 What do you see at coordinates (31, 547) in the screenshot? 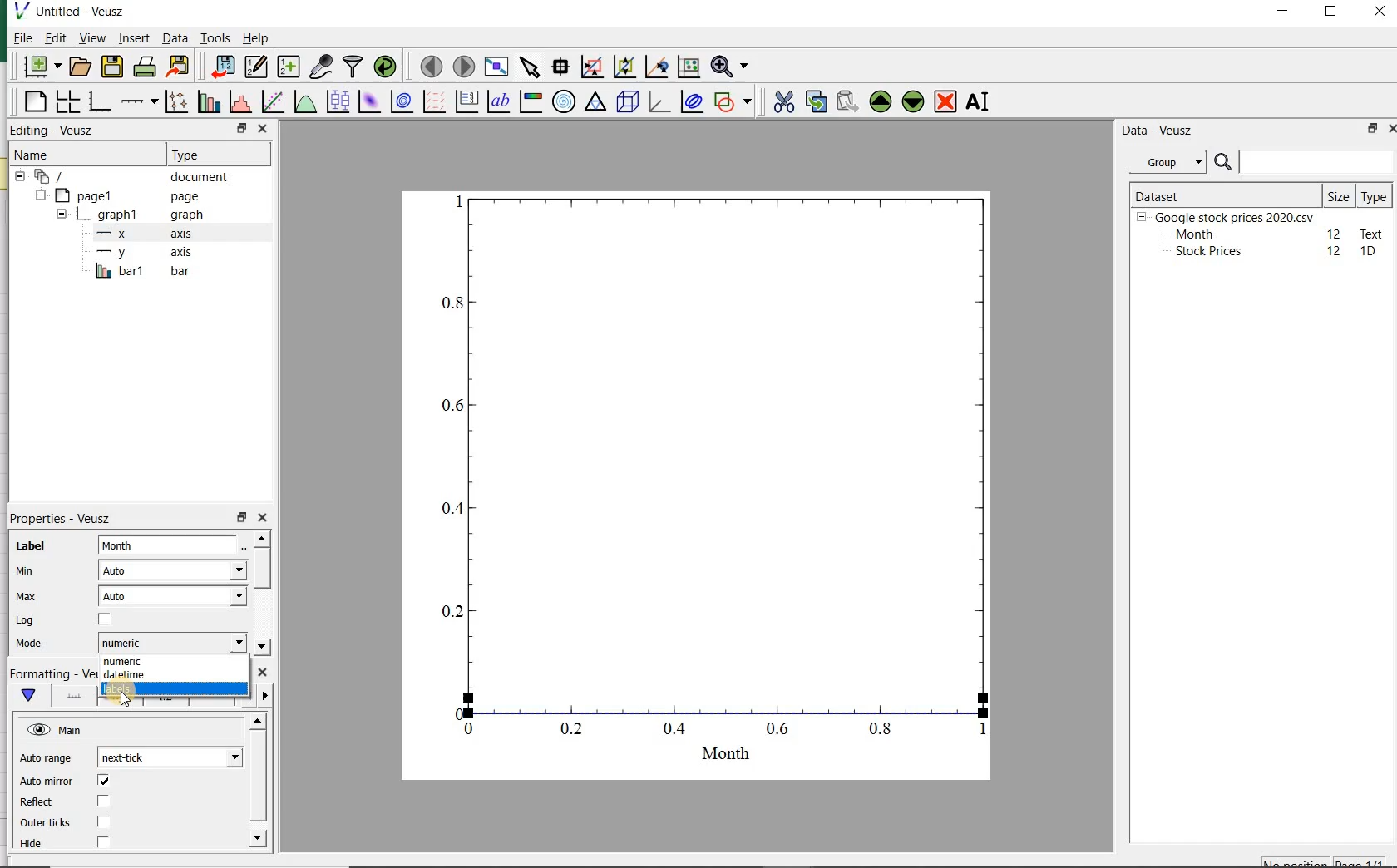
I see `Label` at bounding box center [31, 547].